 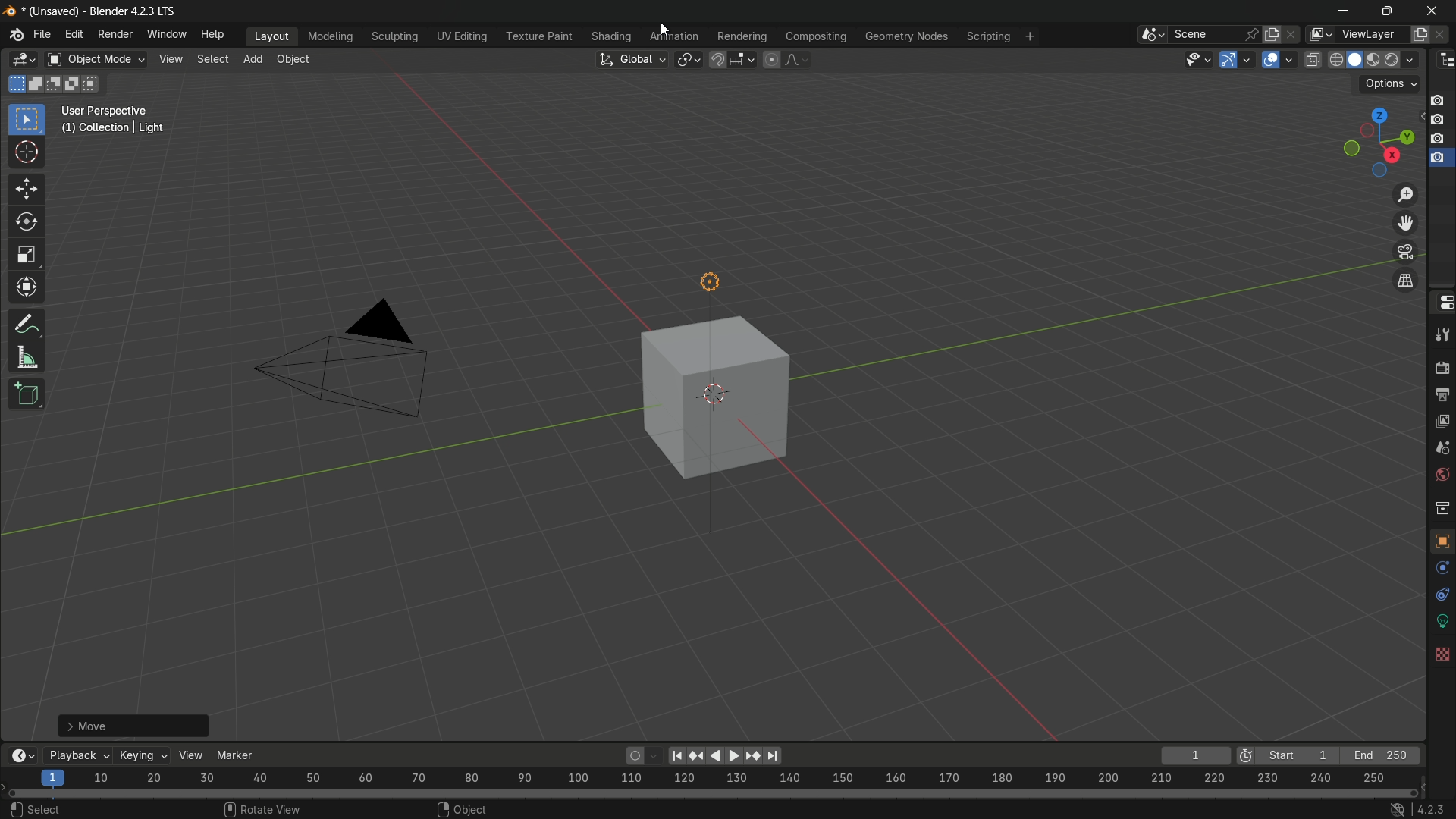 I want to click on sculpting menu, so click(x=395, y=37).